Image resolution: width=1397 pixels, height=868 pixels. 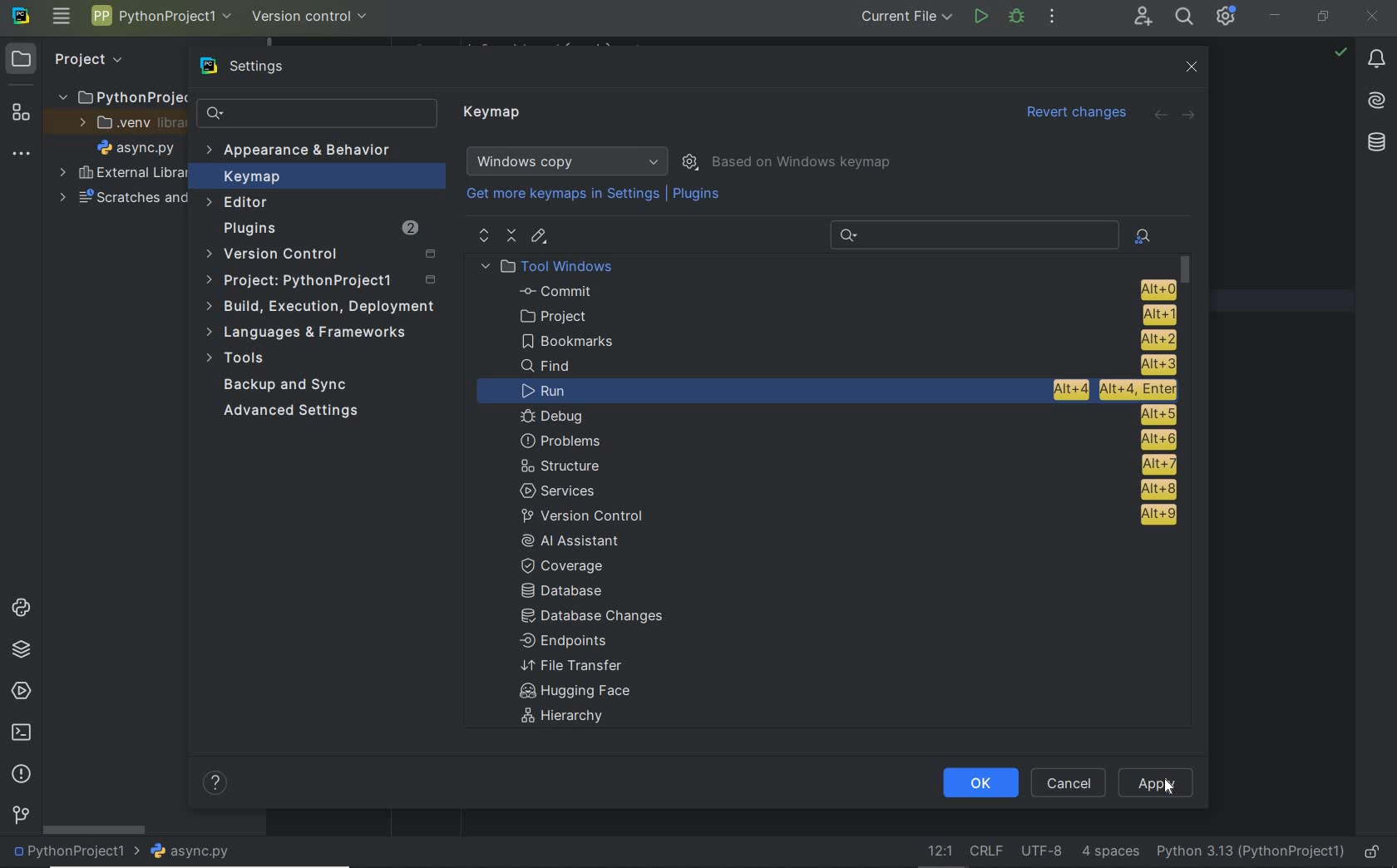 What do you see at coordinates (937, 852) in the screenshot?
I see `go to line` at bounding box center [937, 852].